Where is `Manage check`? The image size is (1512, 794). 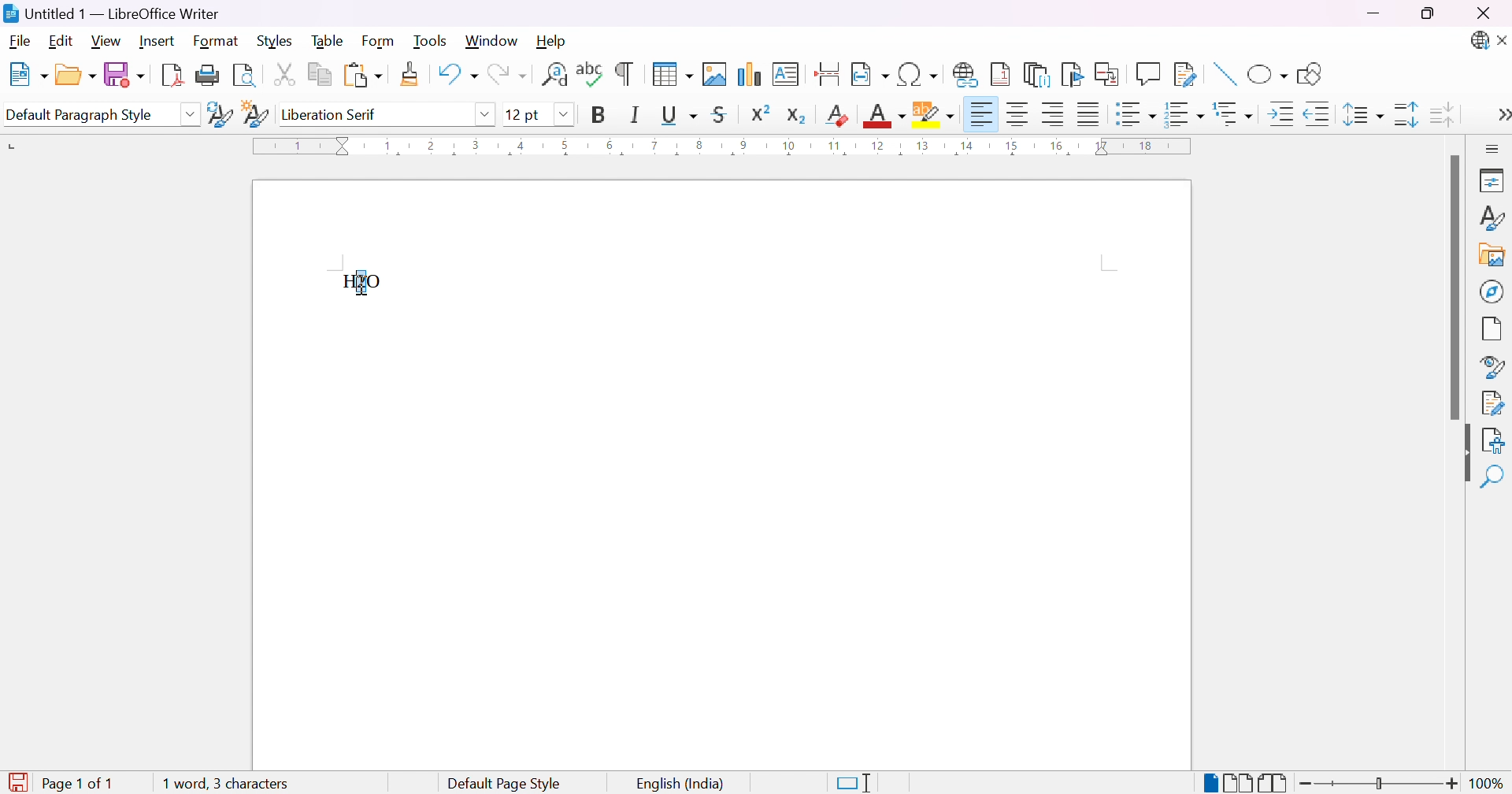 Manage check is located at coordinates (1493, 402).